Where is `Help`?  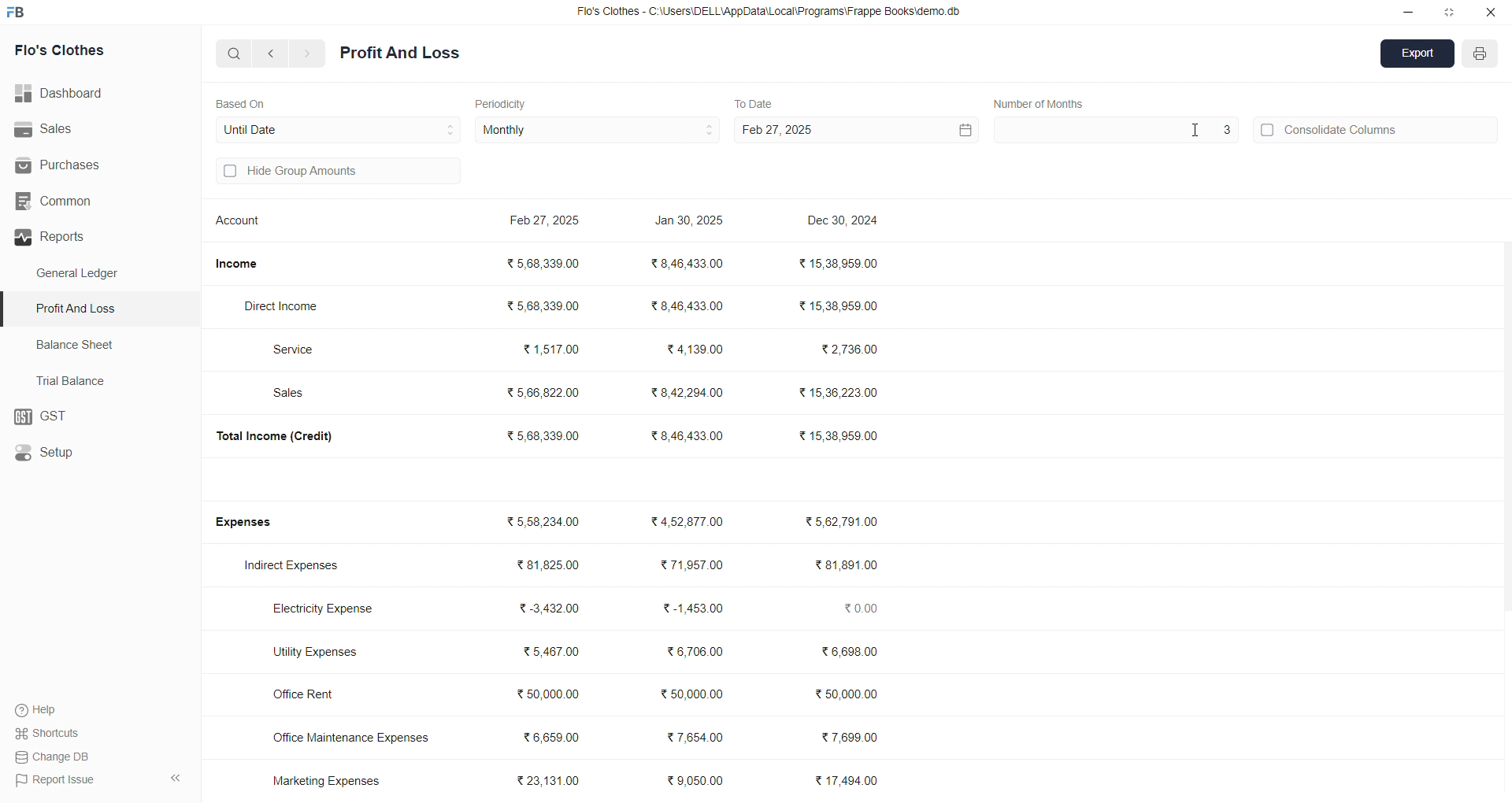
Help is located at coordinates (43, 709).